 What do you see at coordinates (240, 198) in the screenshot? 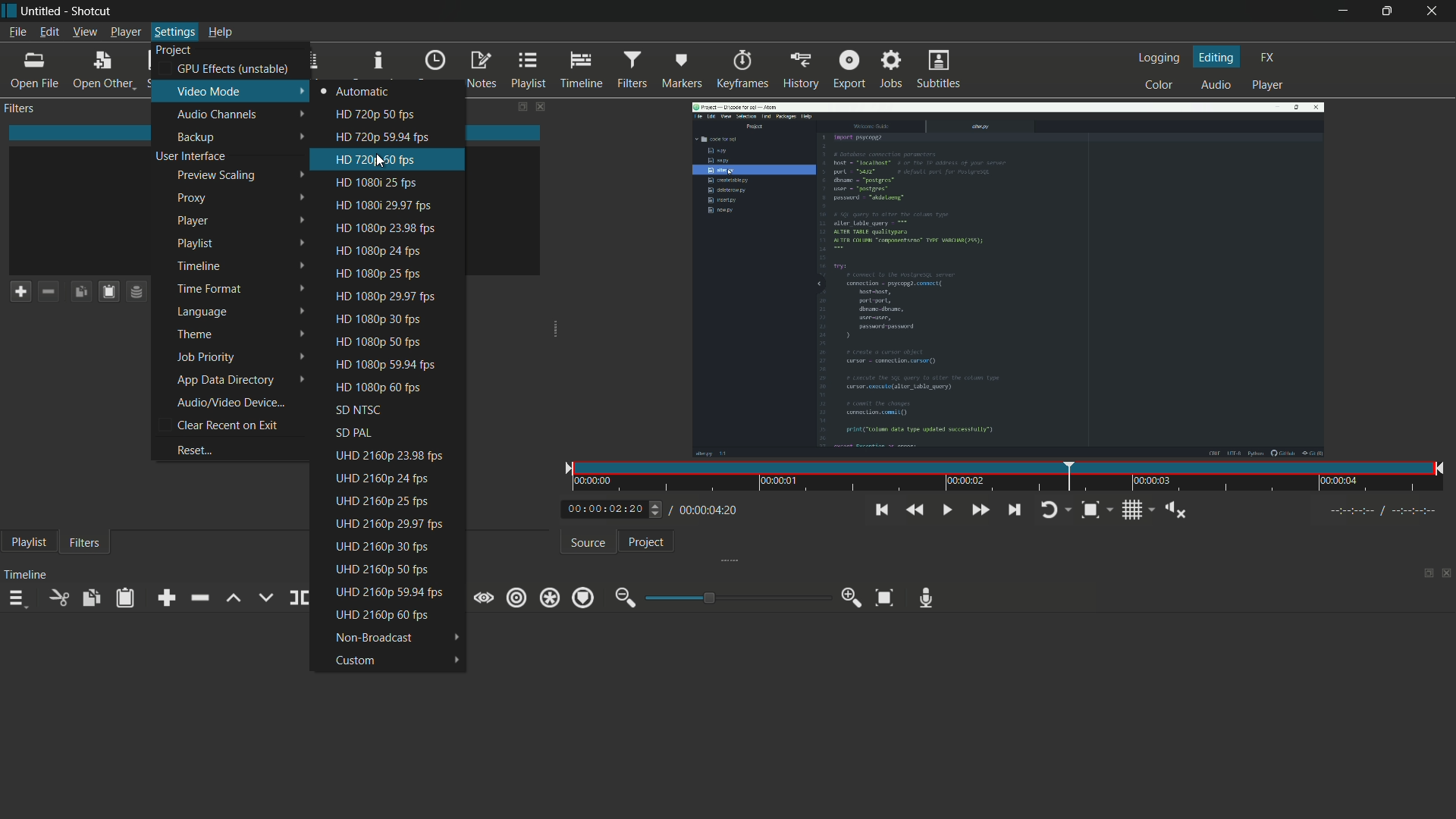
I see `proxy` at bounding box center [240, 198].